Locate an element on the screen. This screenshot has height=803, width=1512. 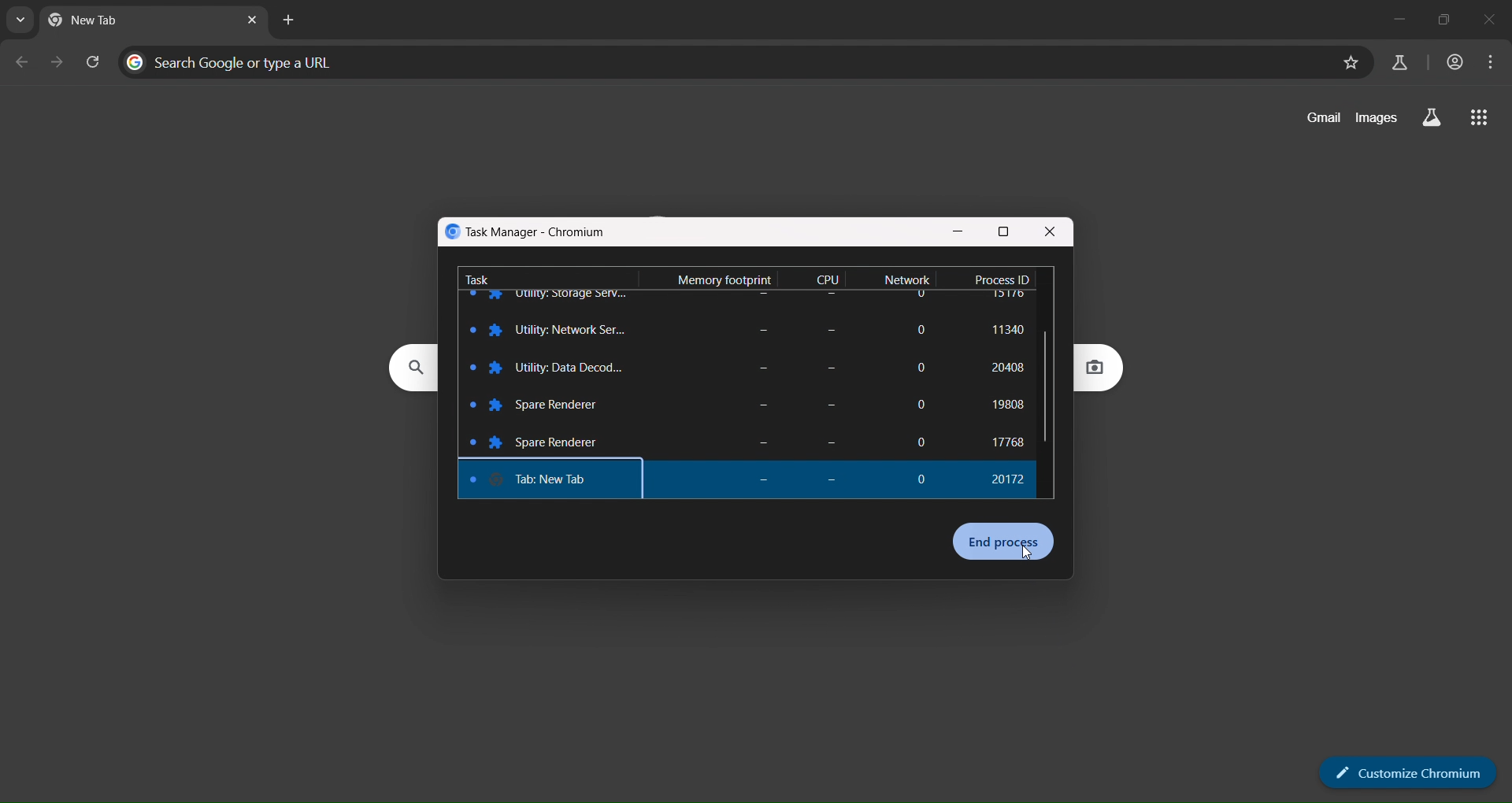
end process is located at coordinates (1005, 542).